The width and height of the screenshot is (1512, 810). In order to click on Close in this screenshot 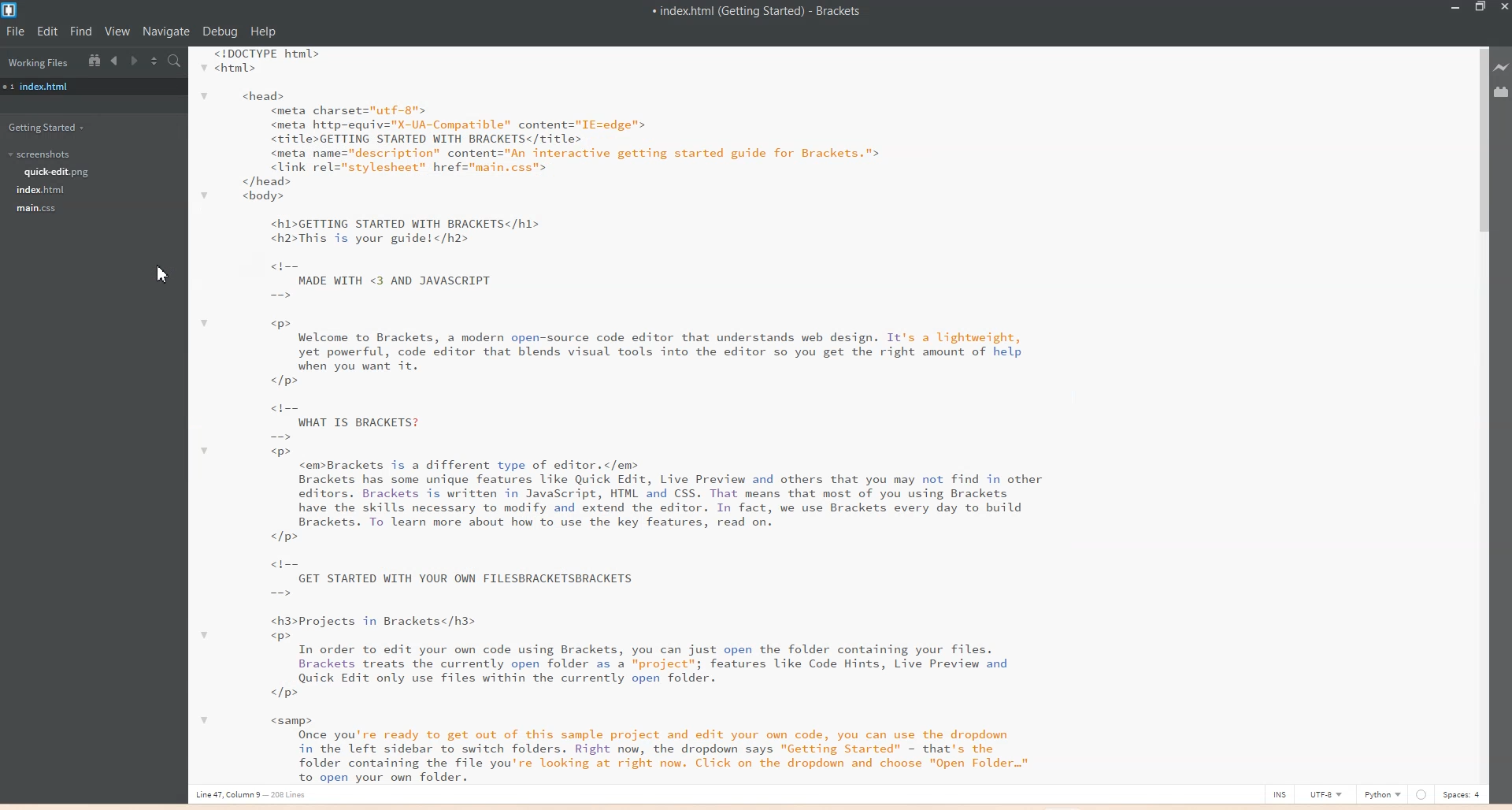, I will do `click(1503, 9)`.